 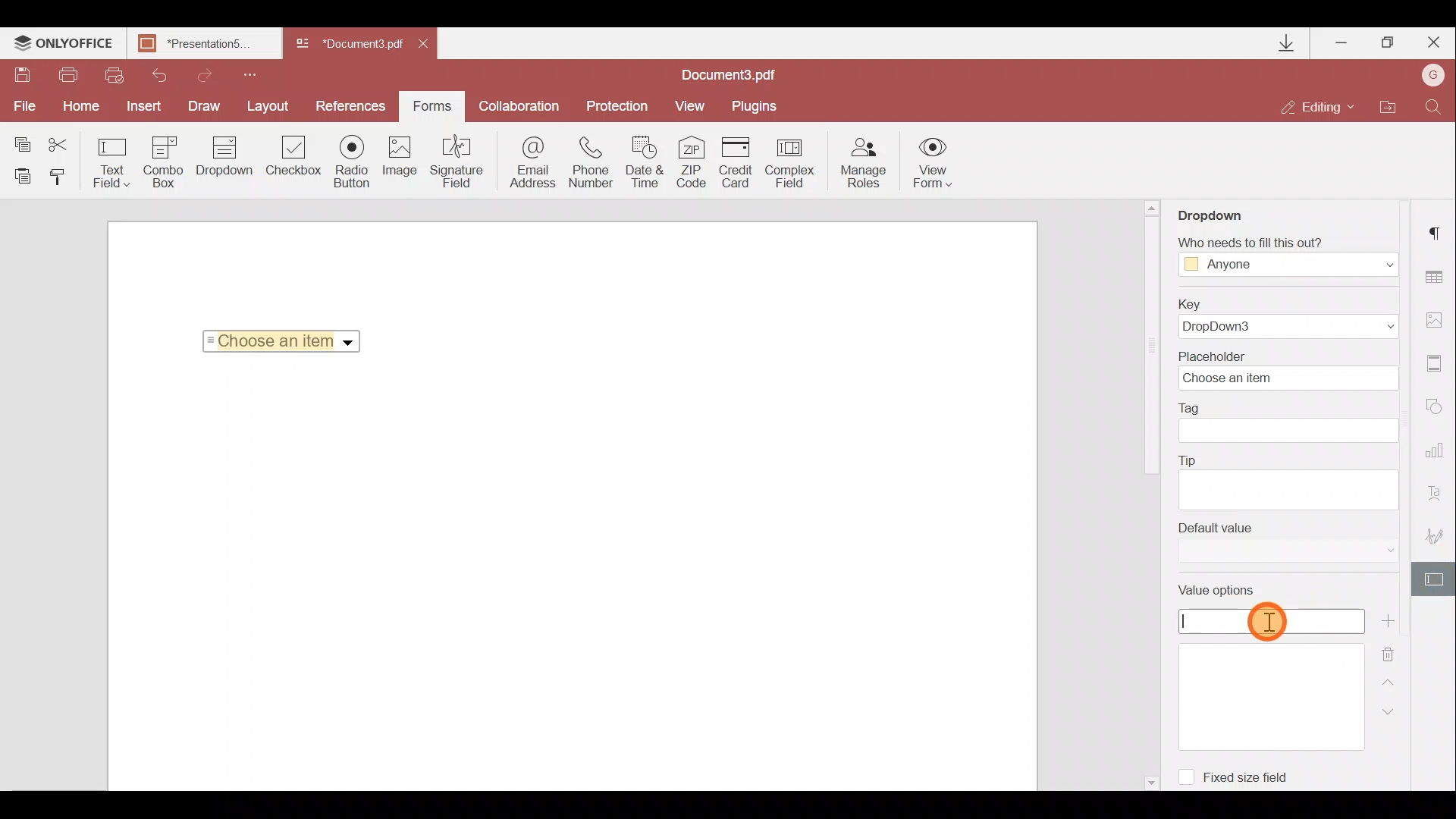 What do you see at coordinates (738, 161) in the screenshot?
I see `Credit card` at bounding box center [738, 161].